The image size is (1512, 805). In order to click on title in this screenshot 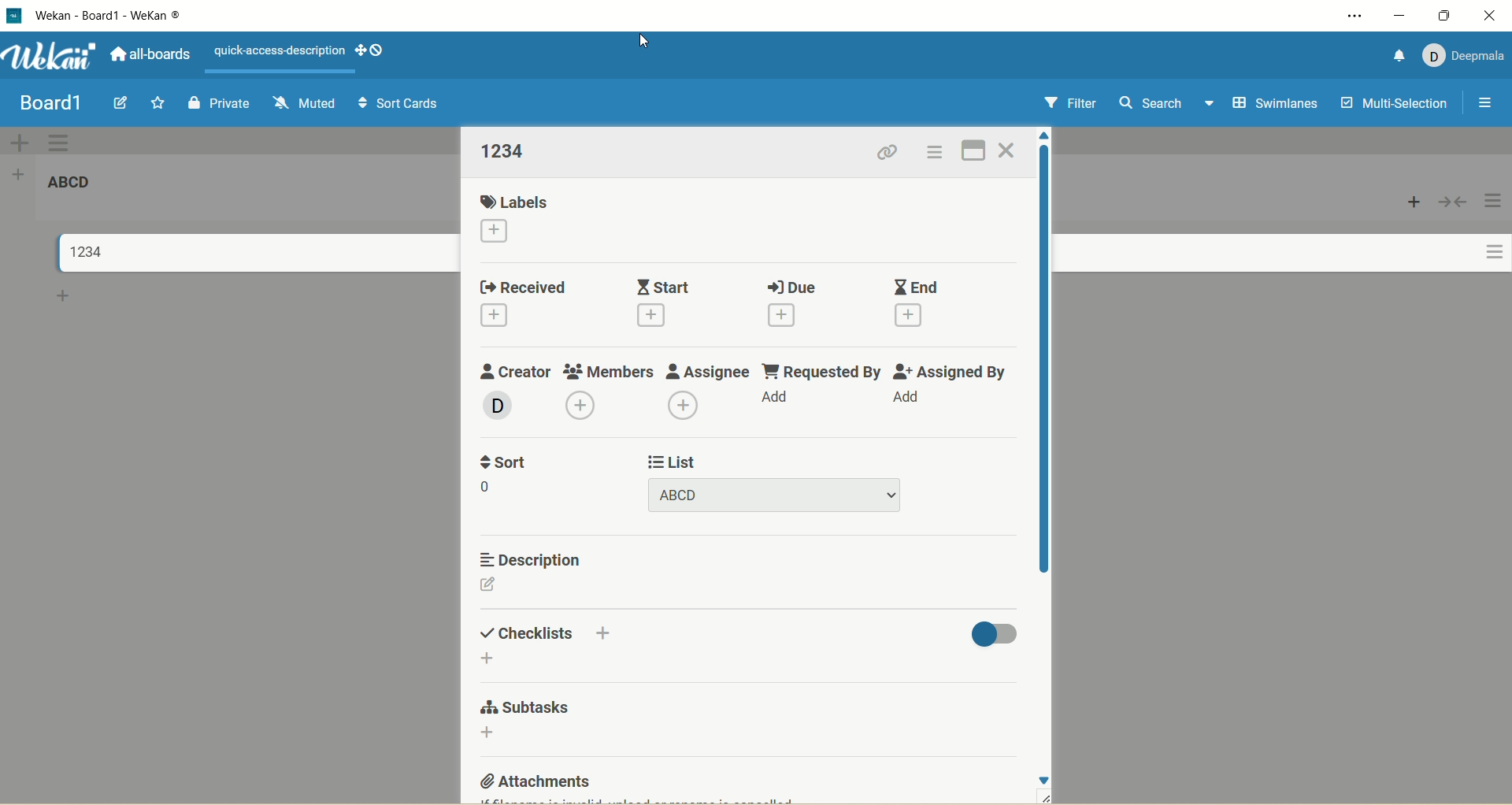, I will do `click(124, 15)`.